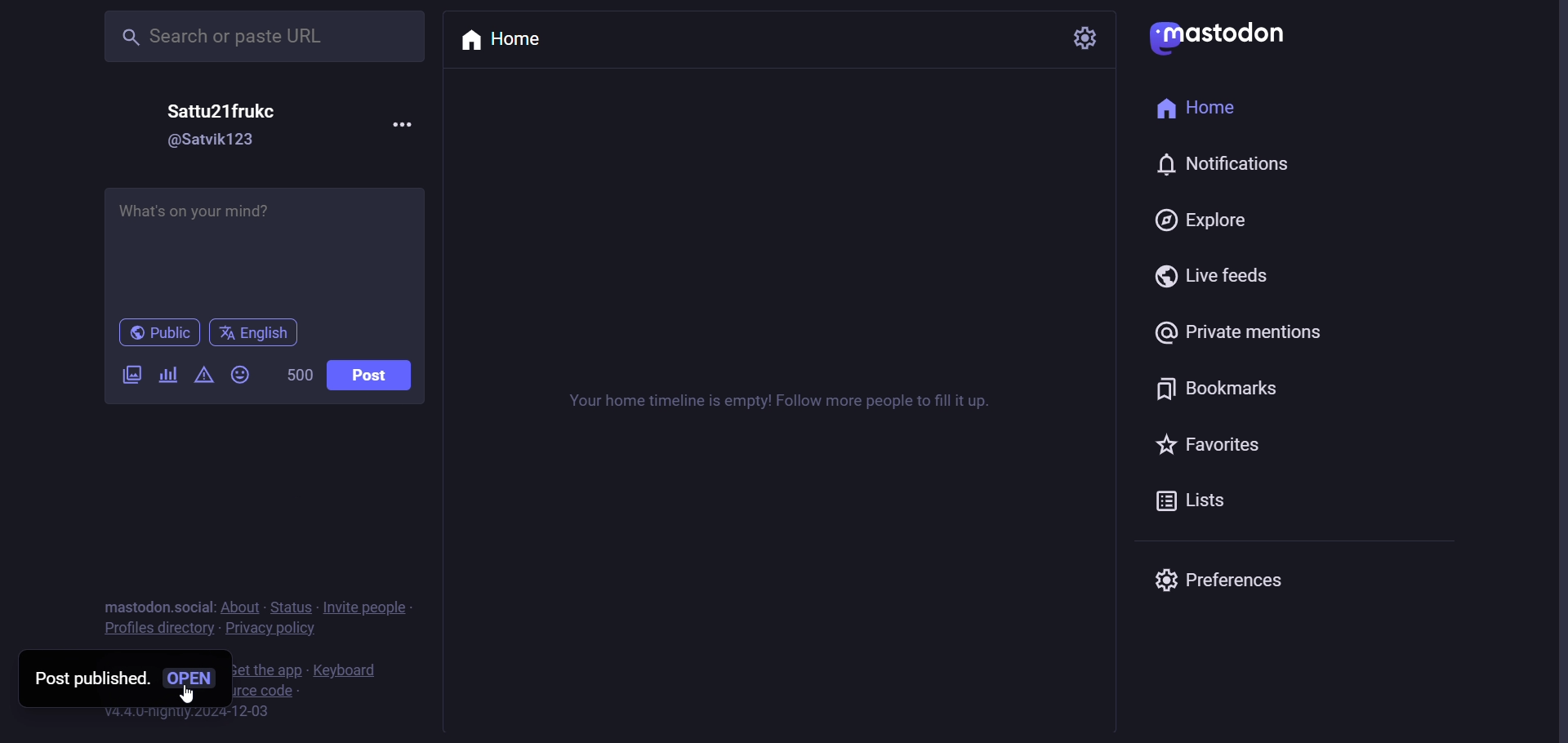  I want to click on Search or paste URL, so click(271, 36).